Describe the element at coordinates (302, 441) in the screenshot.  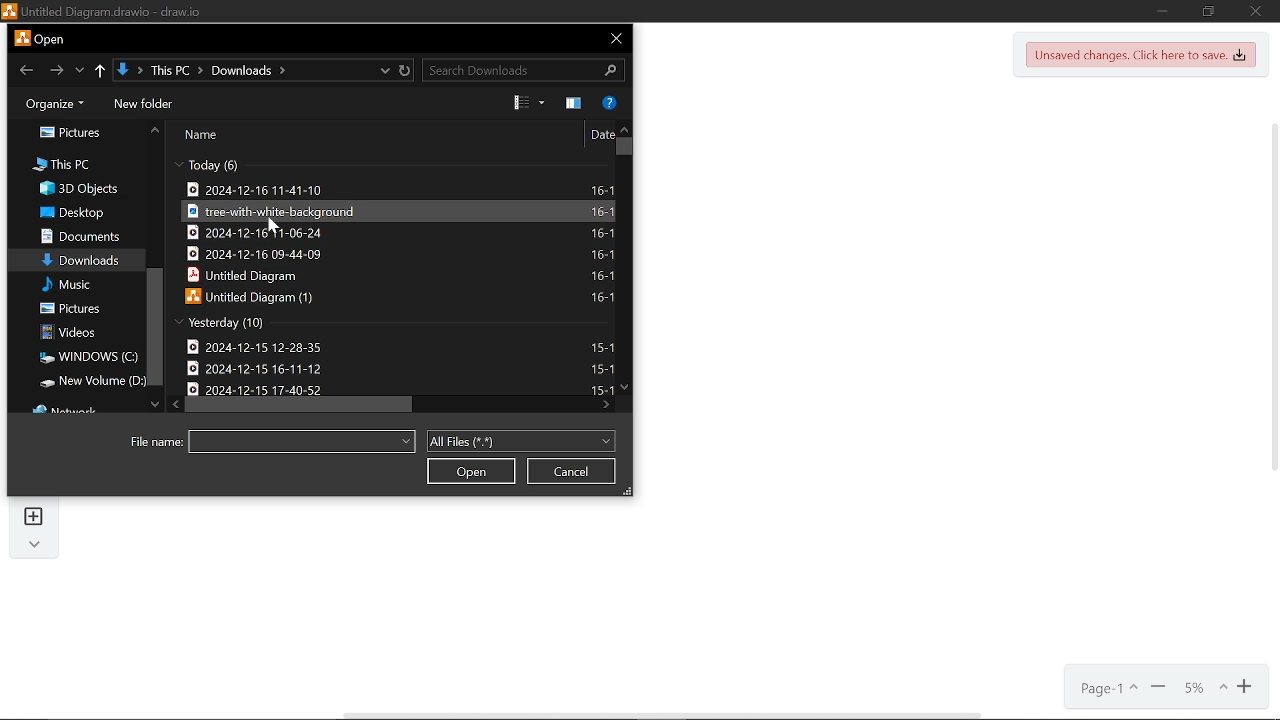
I see `File name` at that location.